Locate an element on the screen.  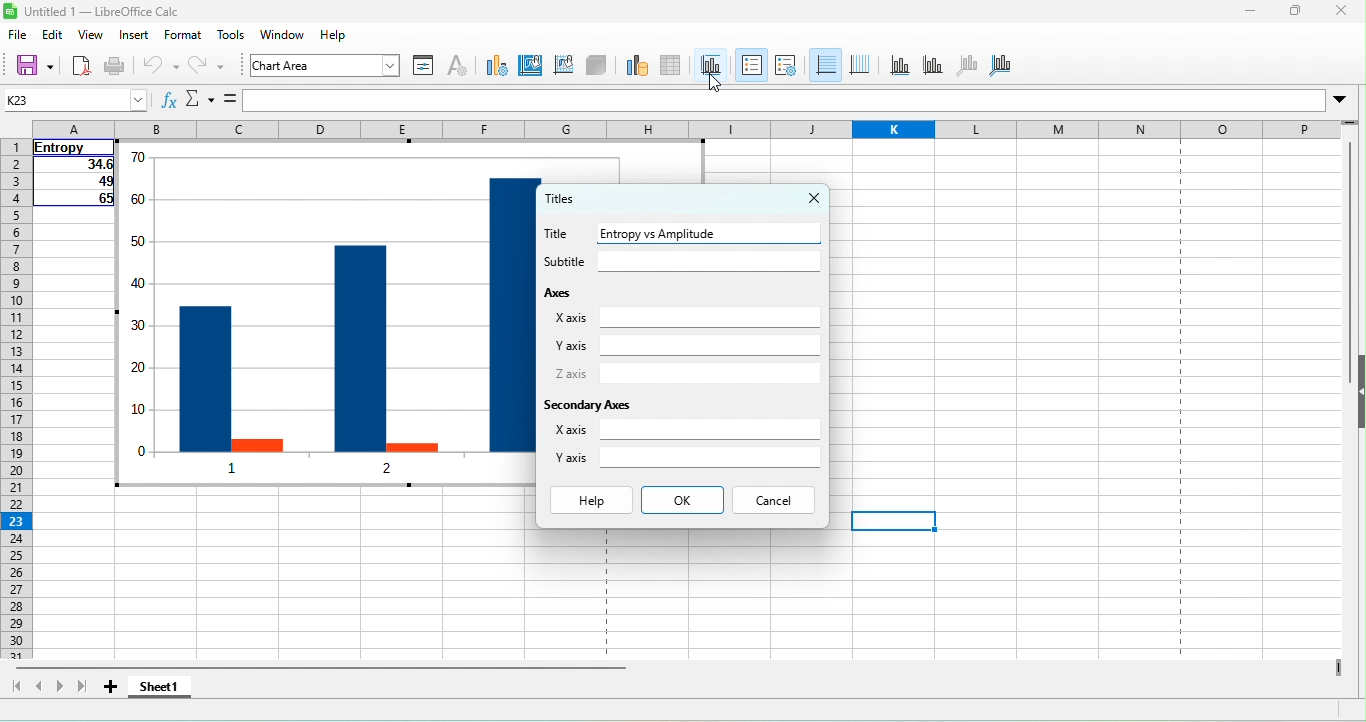
subtitle is located at coordinates (677, 262).